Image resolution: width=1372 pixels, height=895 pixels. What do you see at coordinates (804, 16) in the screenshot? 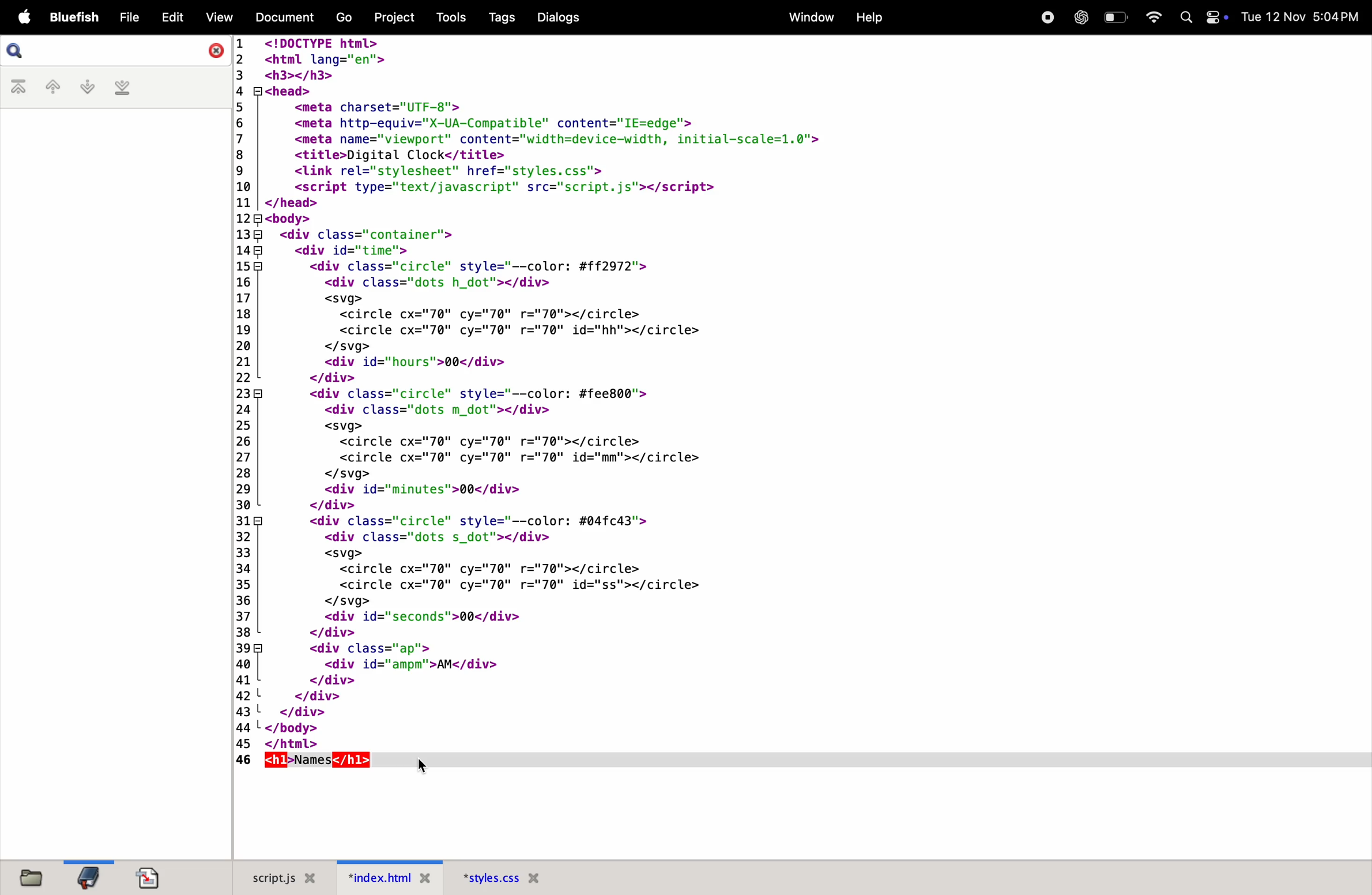
I see `window` at bounding box center [804, 16].